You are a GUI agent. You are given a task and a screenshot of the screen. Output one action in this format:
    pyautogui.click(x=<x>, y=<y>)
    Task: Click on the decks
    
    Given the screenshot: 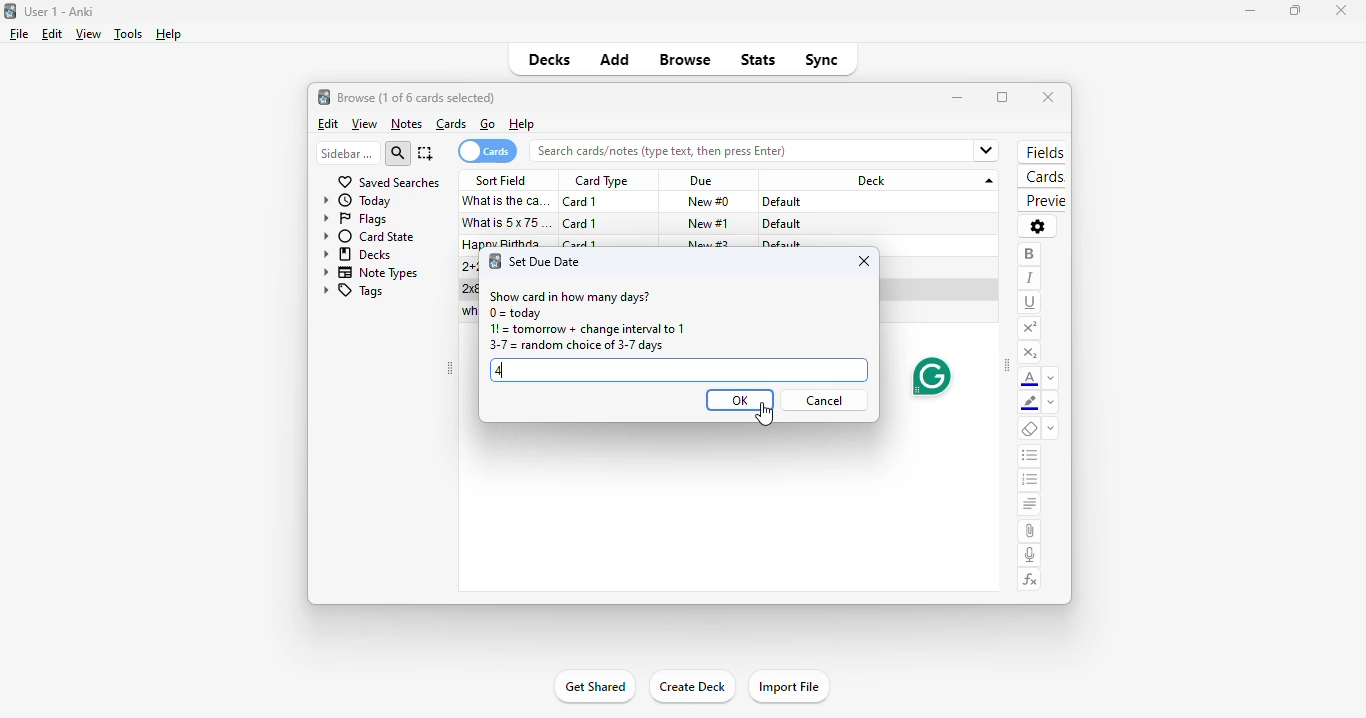 What is the action you would take?
    pyautogui.click(x=550, y=59)
    